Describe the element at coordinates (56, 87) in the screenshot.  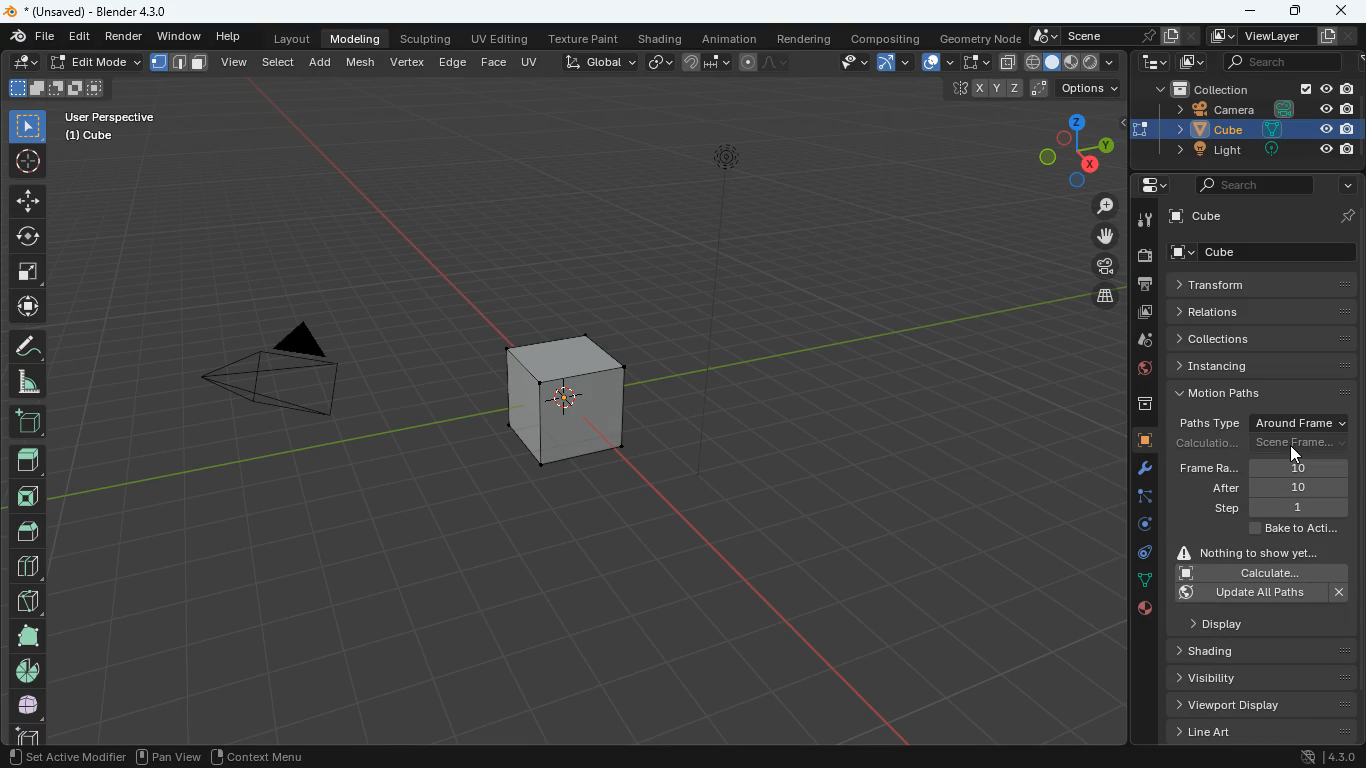
I see `shape` at that location.